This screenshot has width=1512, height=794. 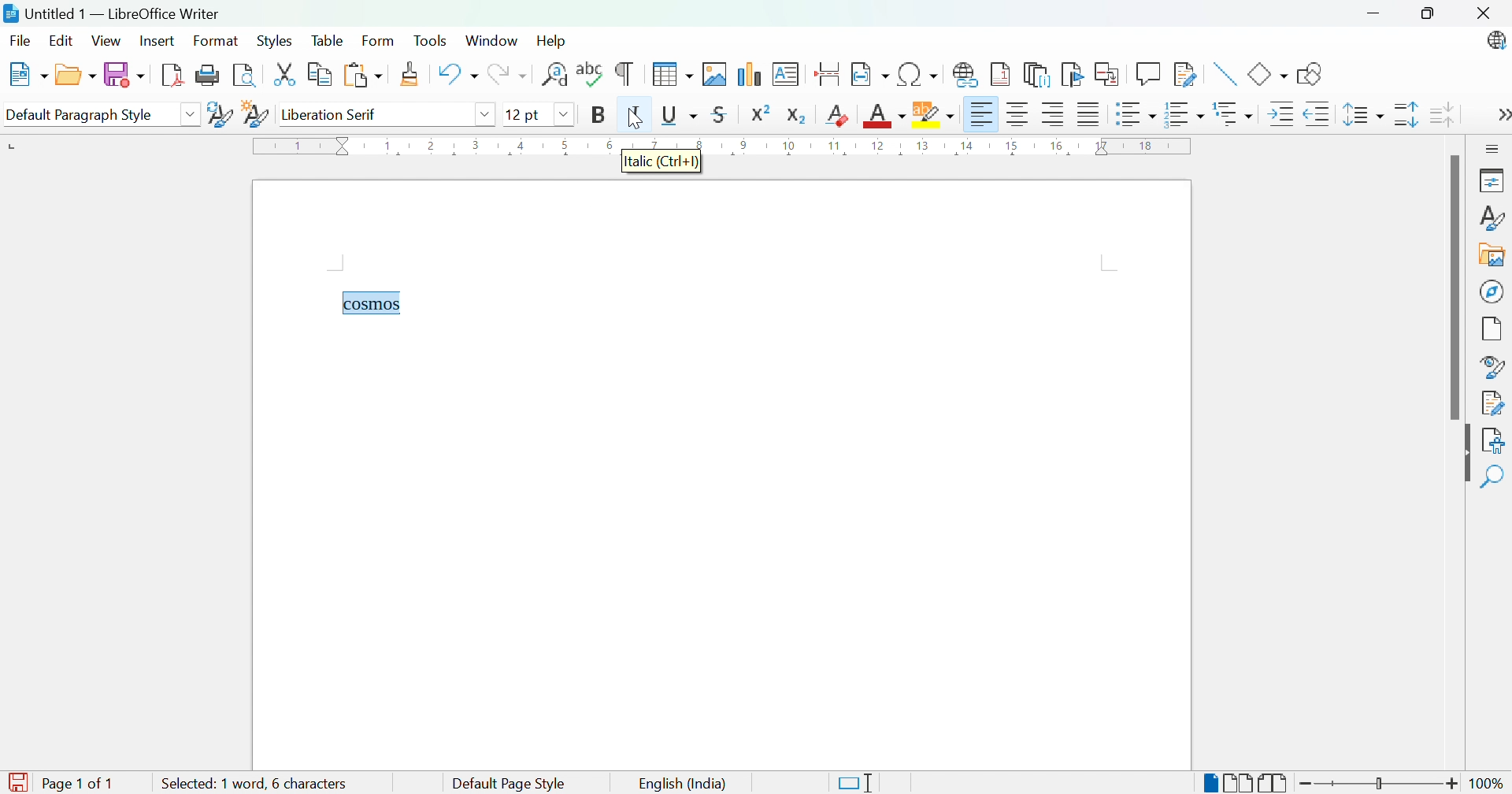 I want to click on Redo, so click(x=509, y=76).